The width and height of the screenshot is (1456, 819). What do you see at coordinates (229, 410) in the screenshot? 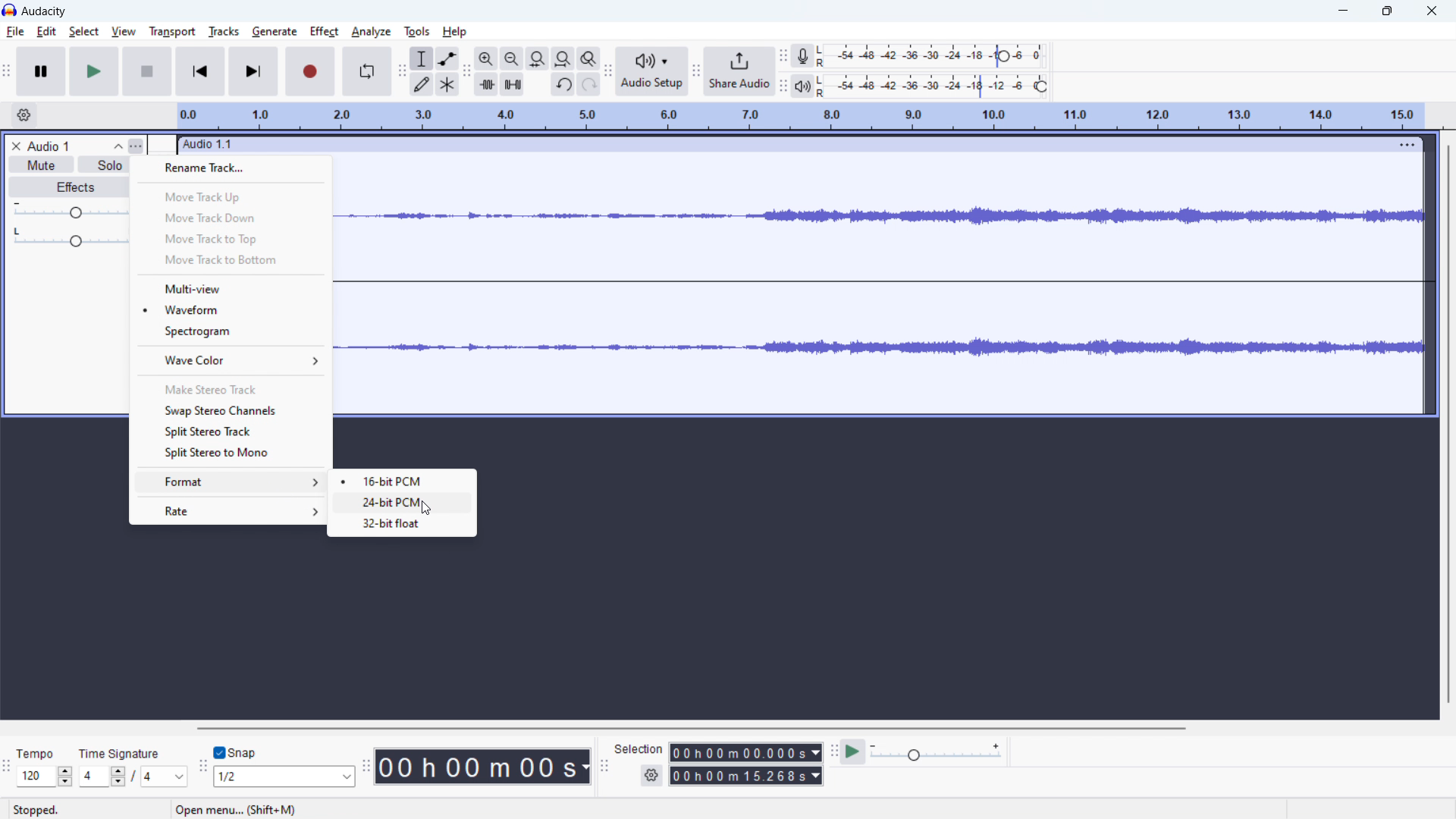
I see `swap stereo channels` at bounding box center [229, 410].